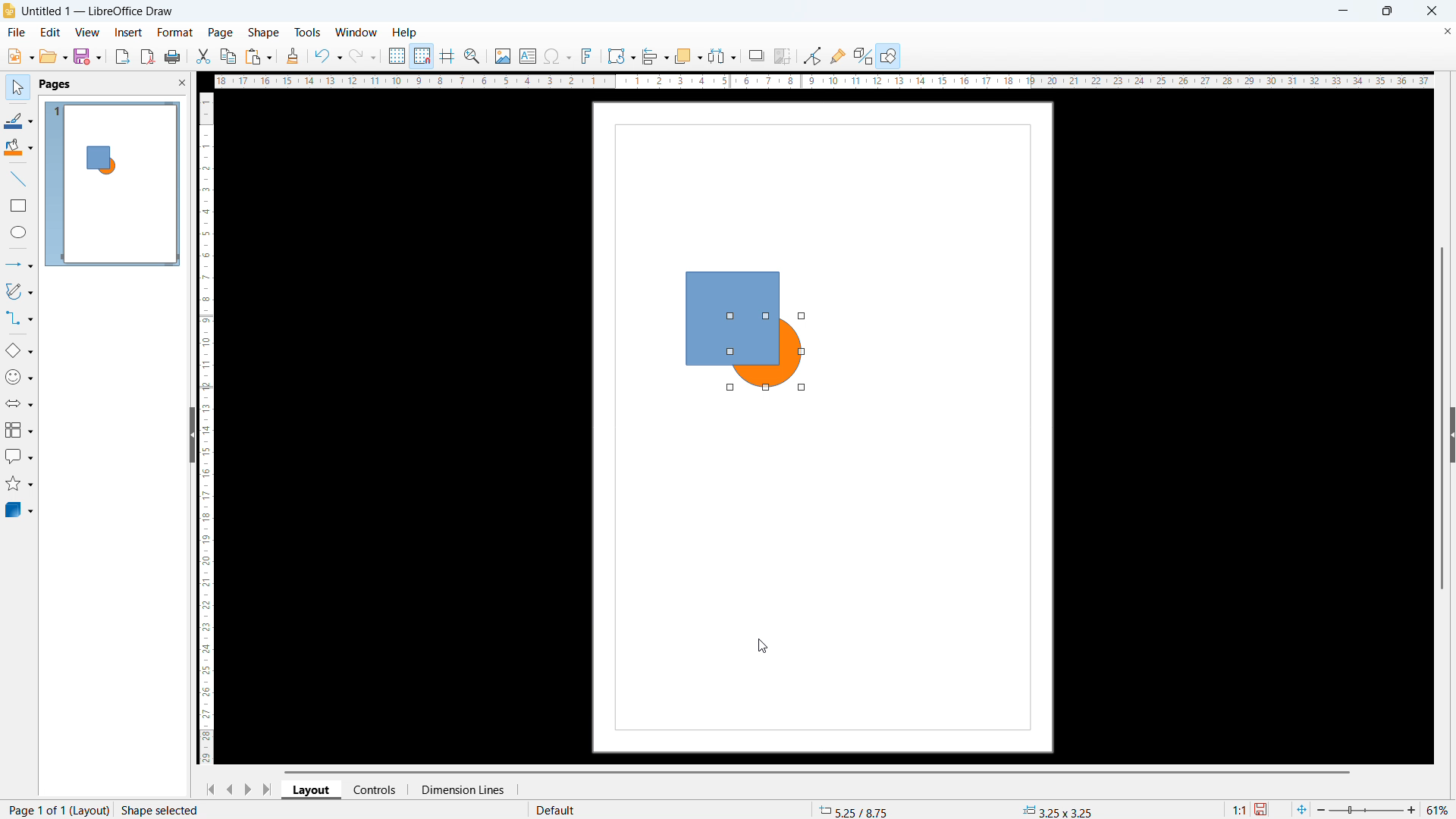  What do you see at coordinates (1367, 809) in the screenshot?
I see `zoom slider` at bounding box center [1367, 809].